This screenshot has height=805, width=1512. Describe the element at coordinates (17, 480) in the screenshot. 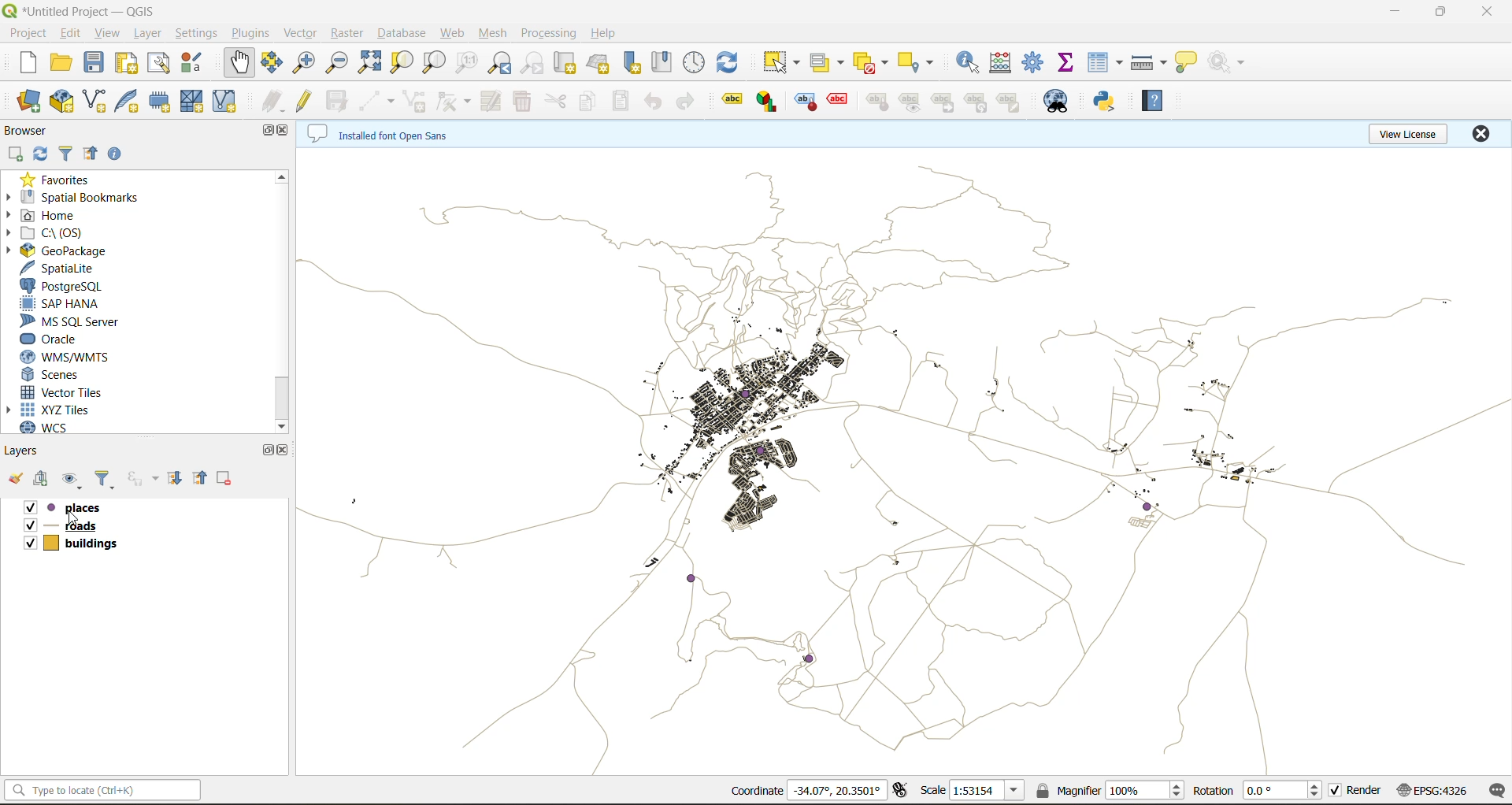

I see `open` at that location.